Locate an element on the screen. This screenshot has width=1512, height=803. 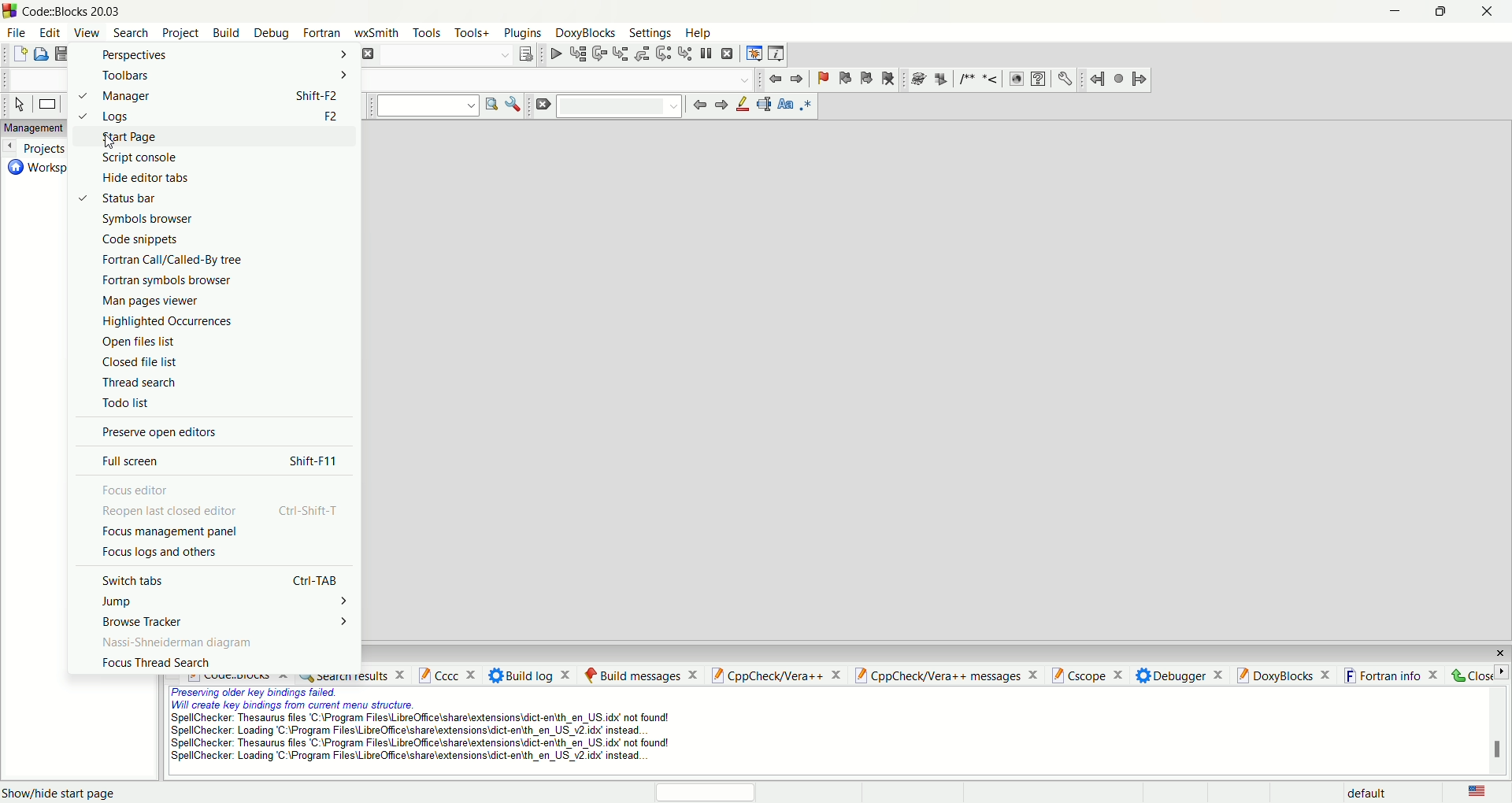
debug is located at coordinates (274, 33).